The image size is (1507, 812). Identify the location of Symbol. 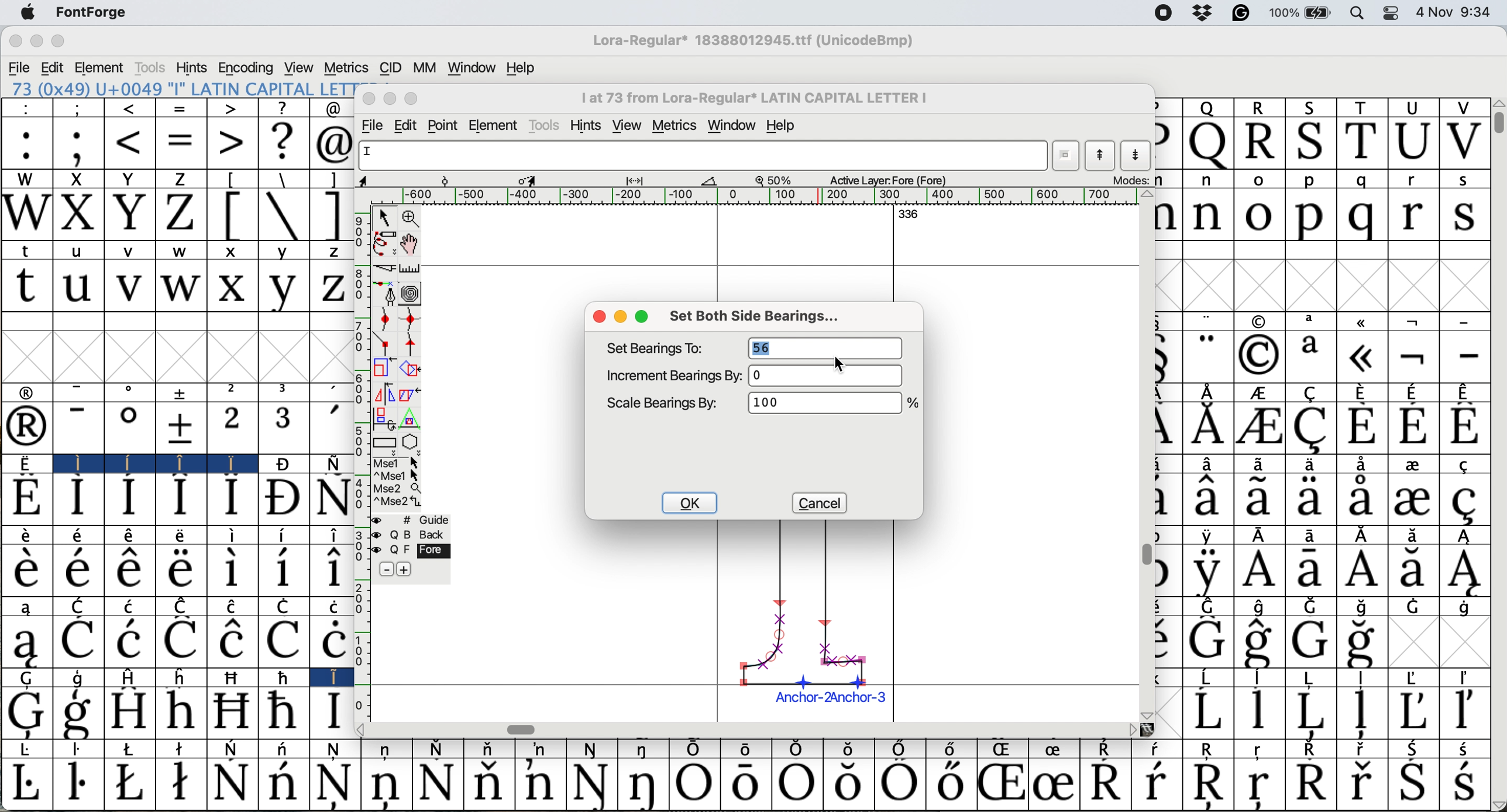
(1309, 783).